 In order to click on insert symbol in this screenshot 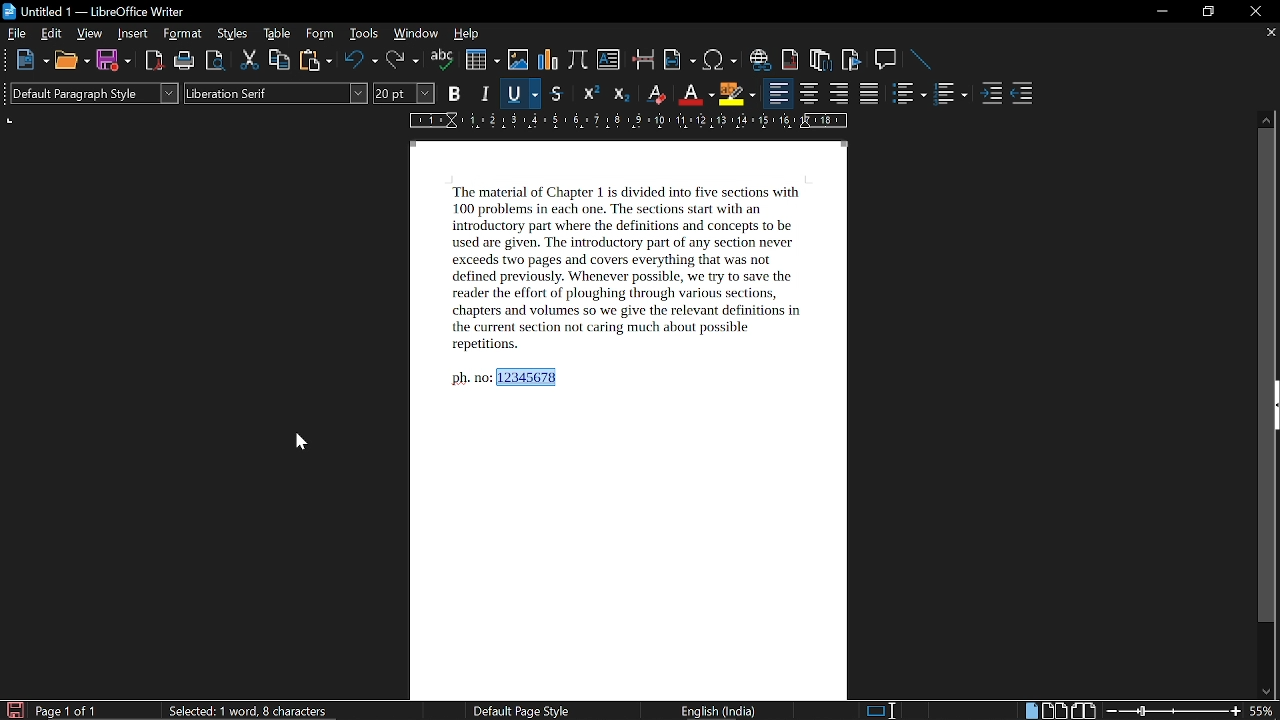, I will do `click(718, 60)`.